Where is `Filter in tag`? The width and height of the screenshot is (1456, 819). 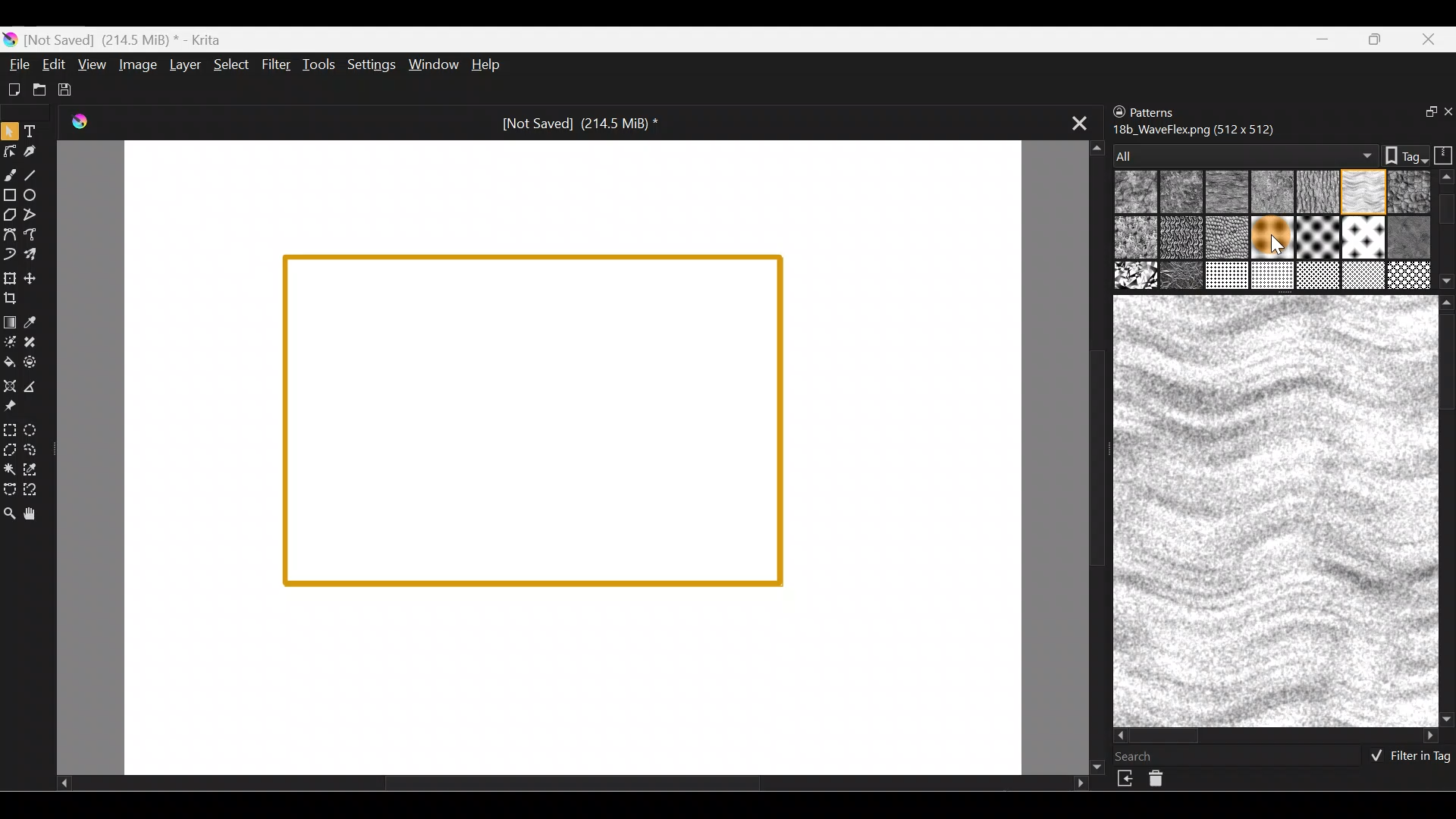 Filter in tag is located at coordinates (1407, 758).